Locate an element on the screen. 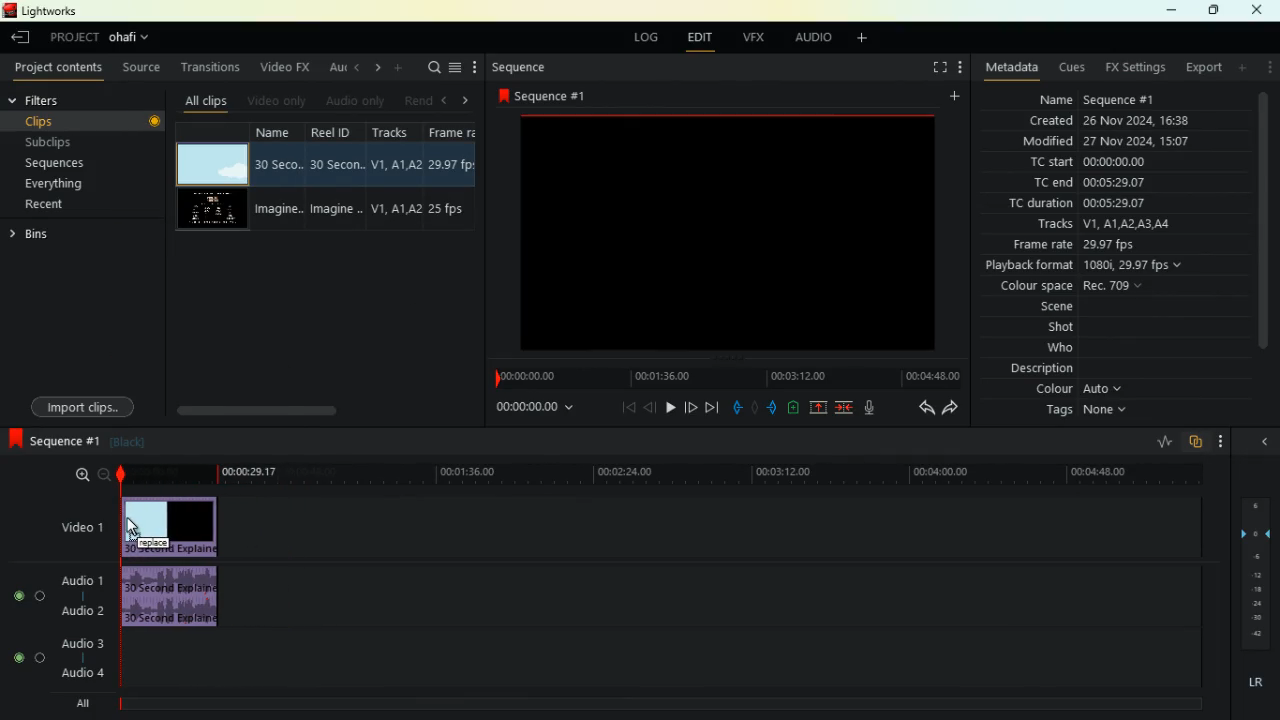 The width and height of the screenshot is (1280, 720). tc duration is located at coordinates (1042, 202).